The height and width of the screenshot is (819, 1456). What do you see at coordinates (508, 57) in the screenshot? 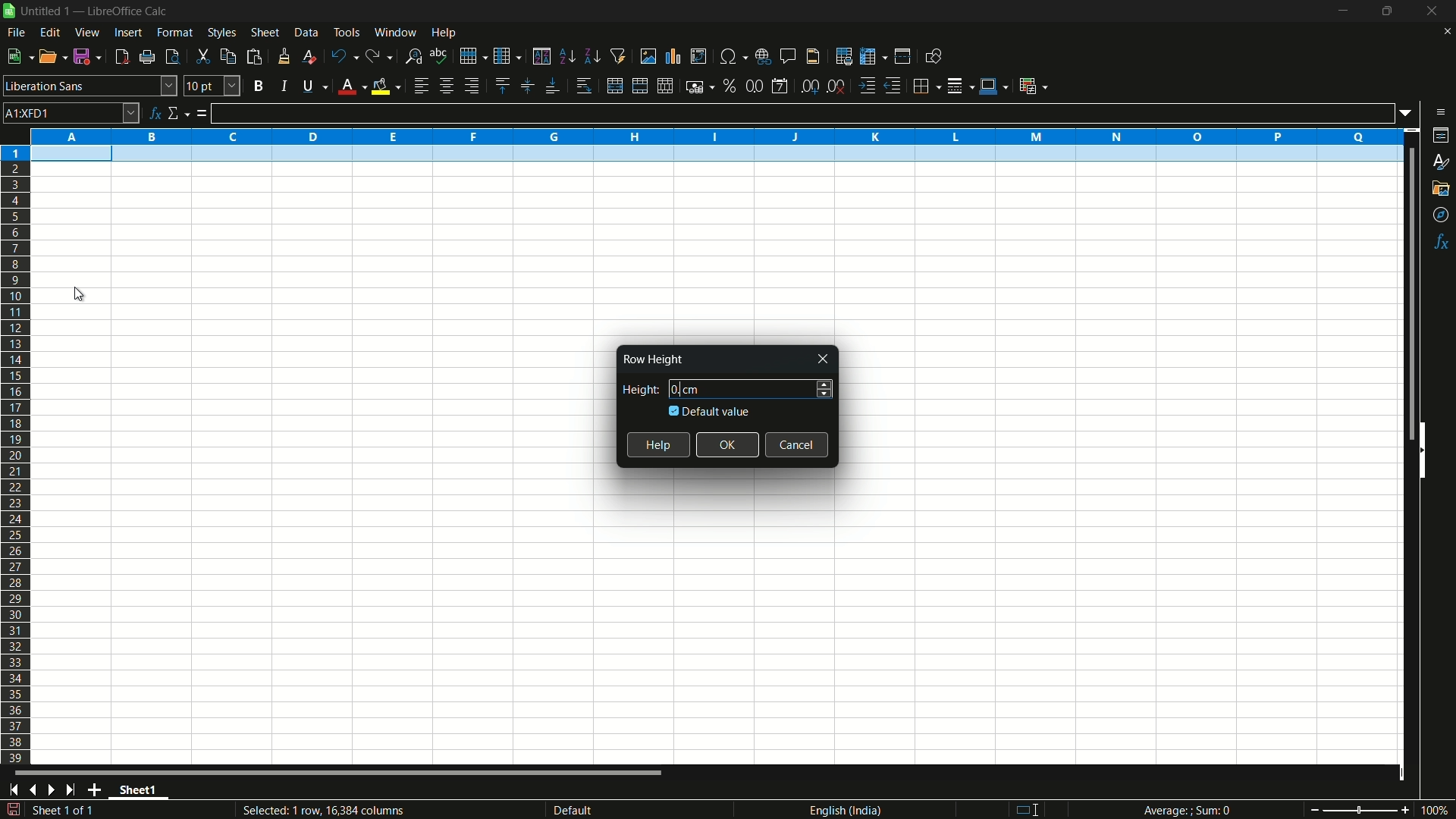
I see `column` at bounding box center [508, 57].